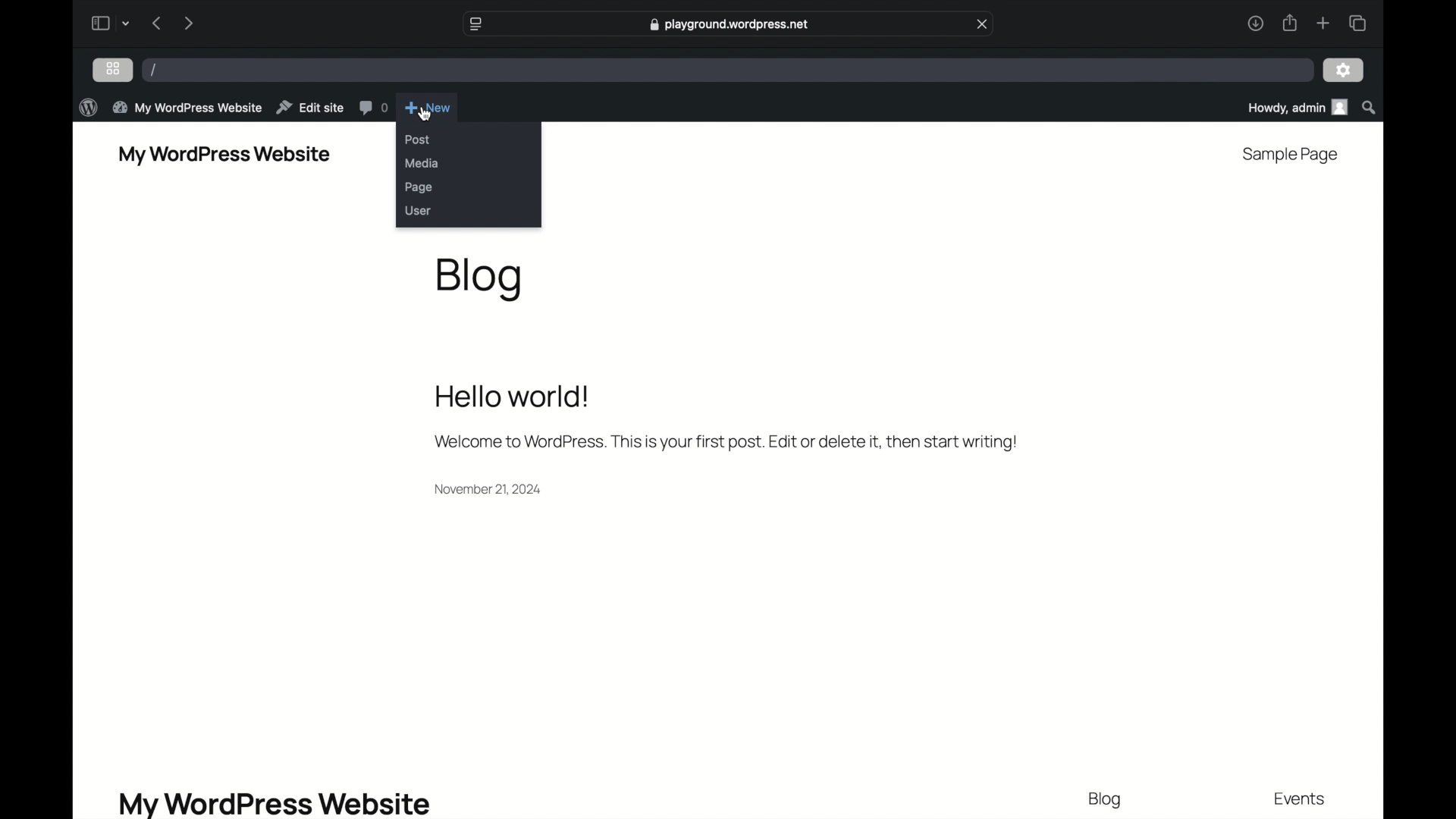 This screenshot has width=1456, height=819. What do you see at coordinates (418, 140) in the screenshot?
I see `post` at bounding box center [418, 140].